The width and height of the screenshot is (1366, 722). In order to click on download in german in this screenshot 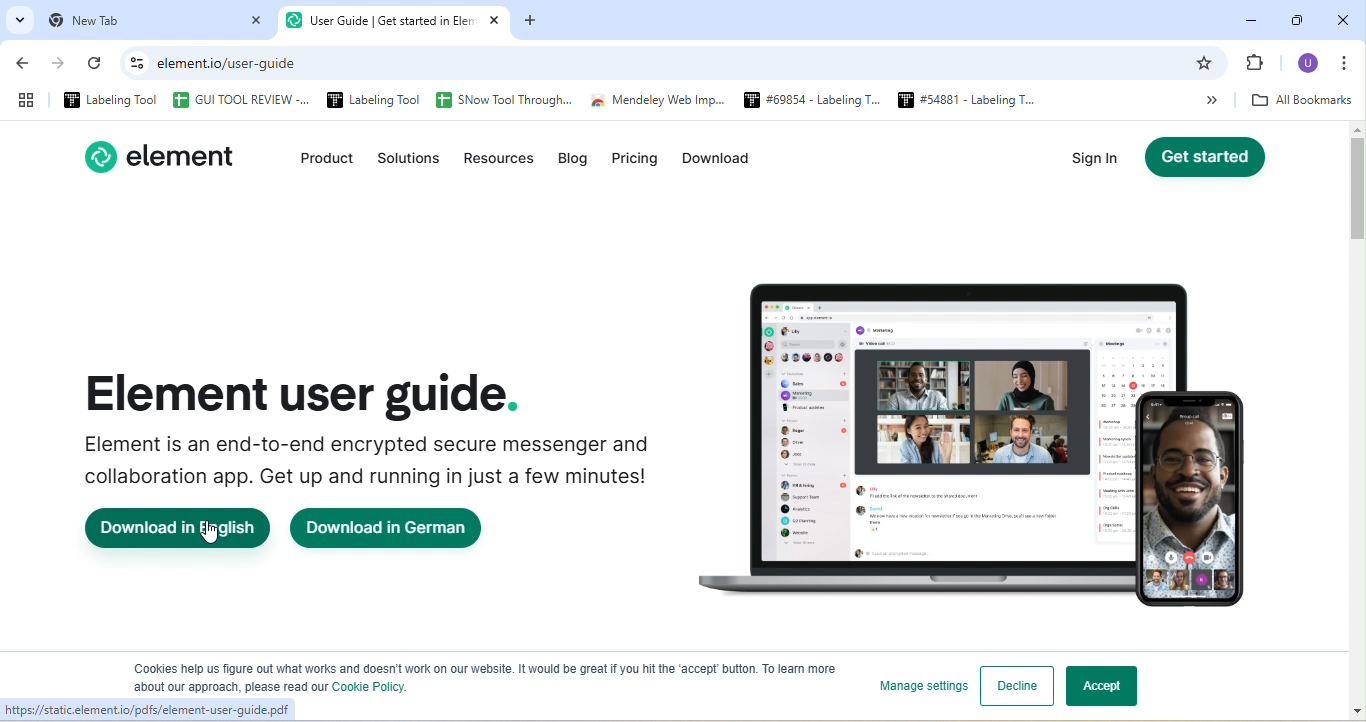, I will do `click(399, 529)`.